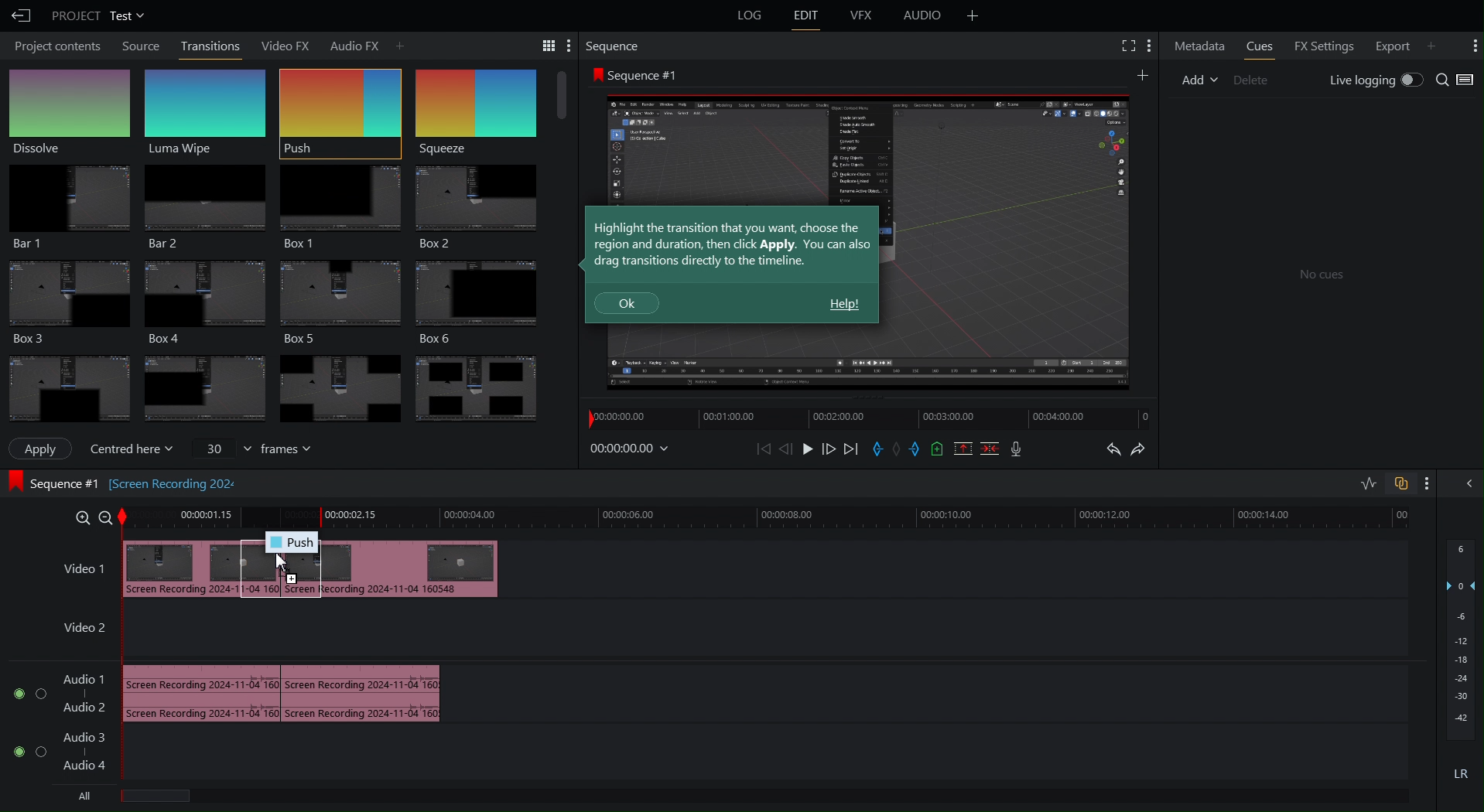 This screenshot has height=812, width=1484. I want to click on Apply, so click(42, 448).